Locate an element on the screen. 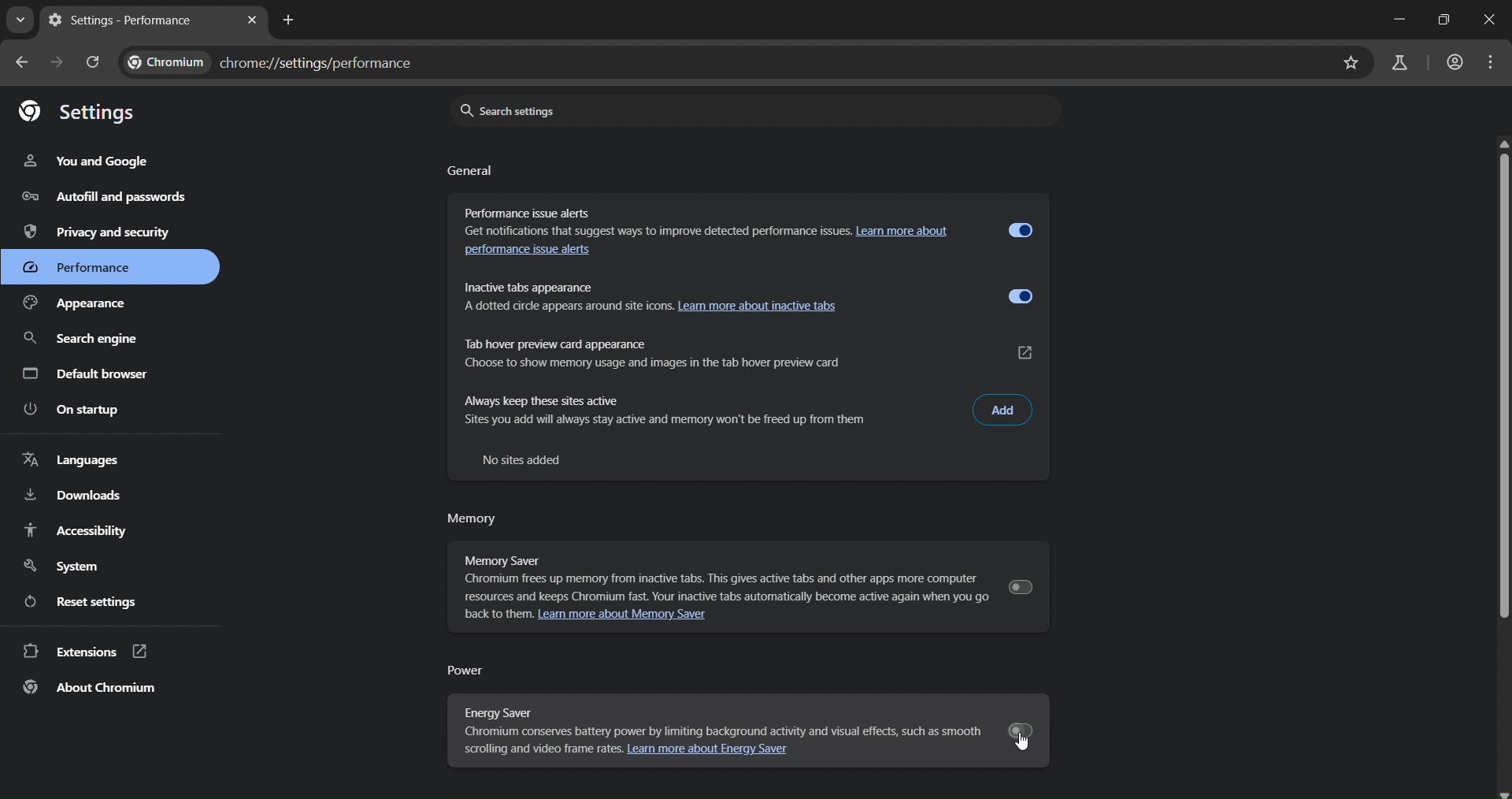 The height and width of the screenshot is (799, 1512). system is located at coordinates (65, 563).